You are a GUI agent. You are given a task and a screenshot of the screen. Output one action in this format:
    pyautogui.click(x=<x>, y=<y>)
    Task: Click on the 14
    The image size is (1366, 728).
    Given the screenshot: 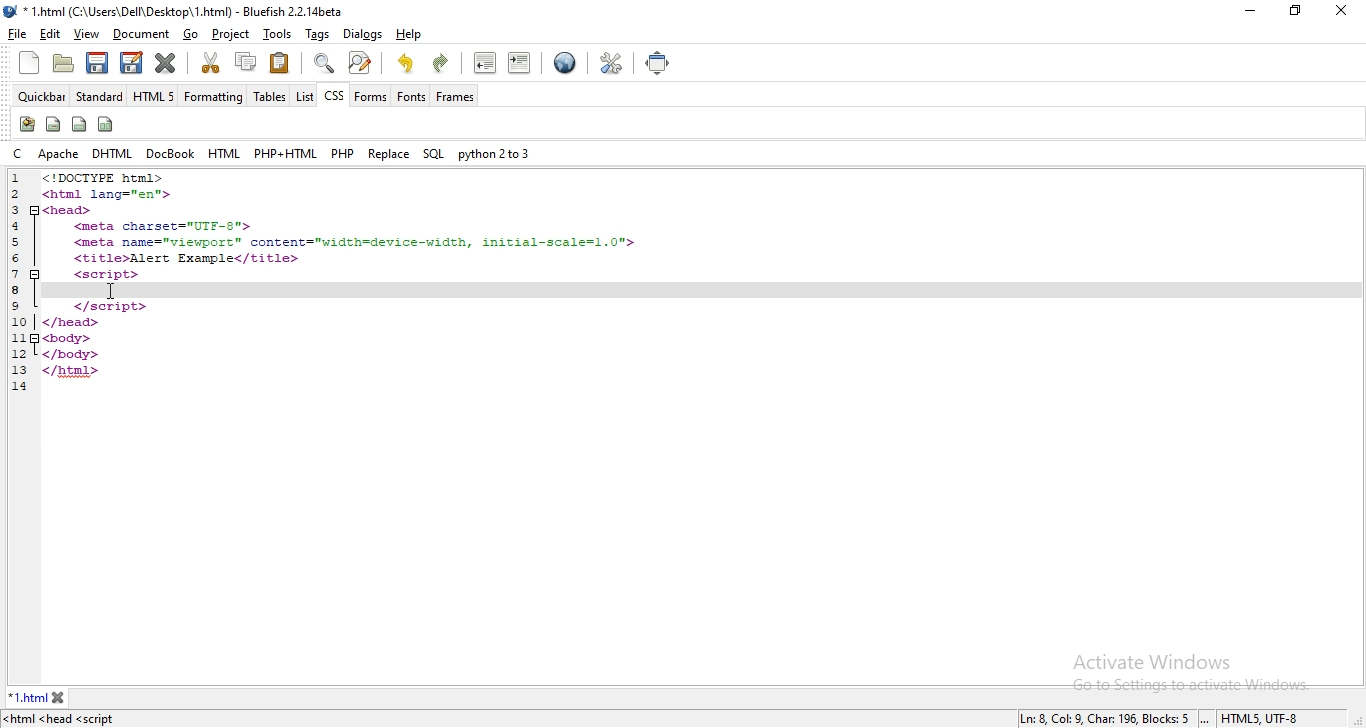 What is the action you would take?
    pyautogui.click(x=19, y=389)
    